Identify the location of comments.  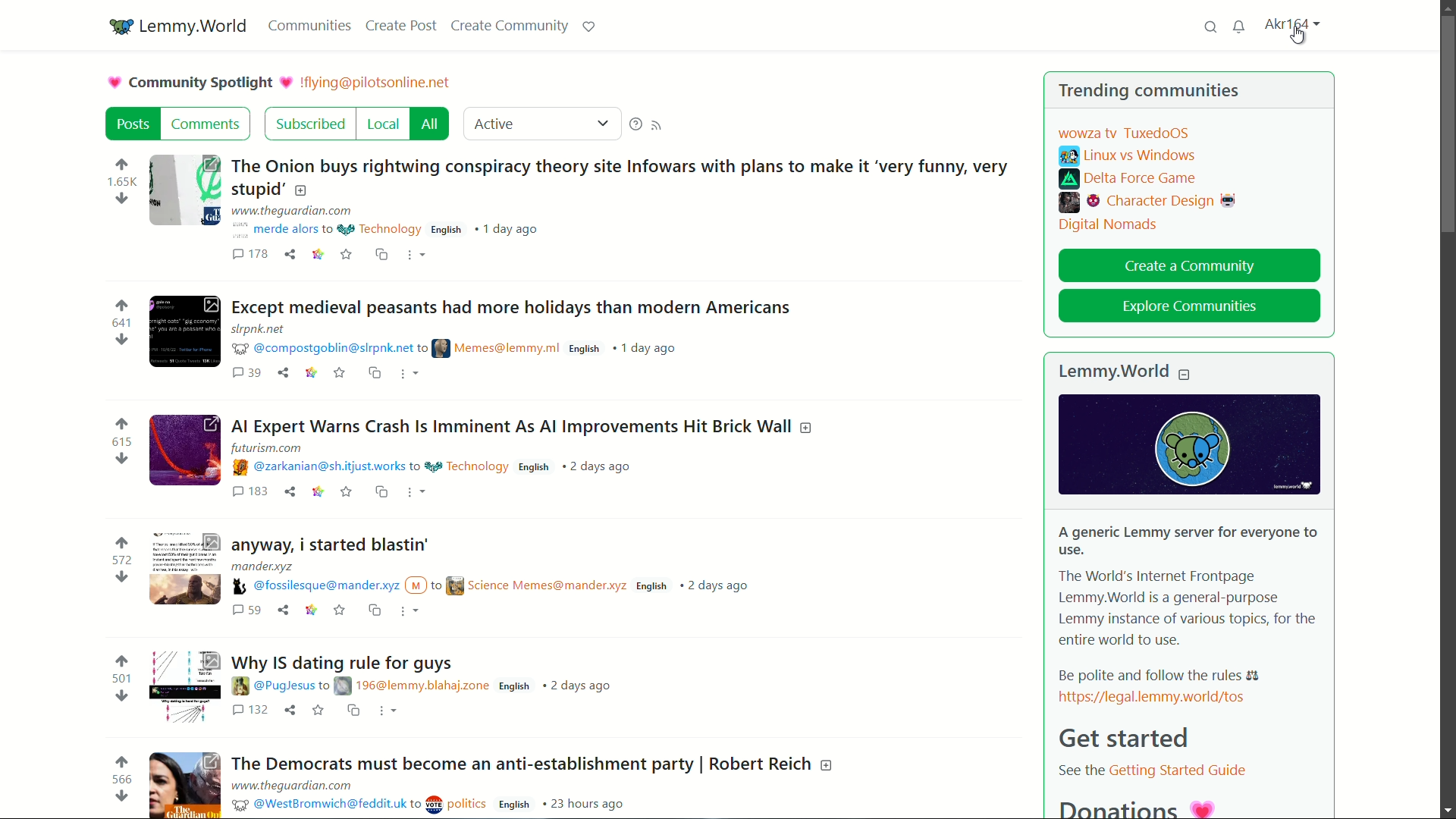
(246, 372).